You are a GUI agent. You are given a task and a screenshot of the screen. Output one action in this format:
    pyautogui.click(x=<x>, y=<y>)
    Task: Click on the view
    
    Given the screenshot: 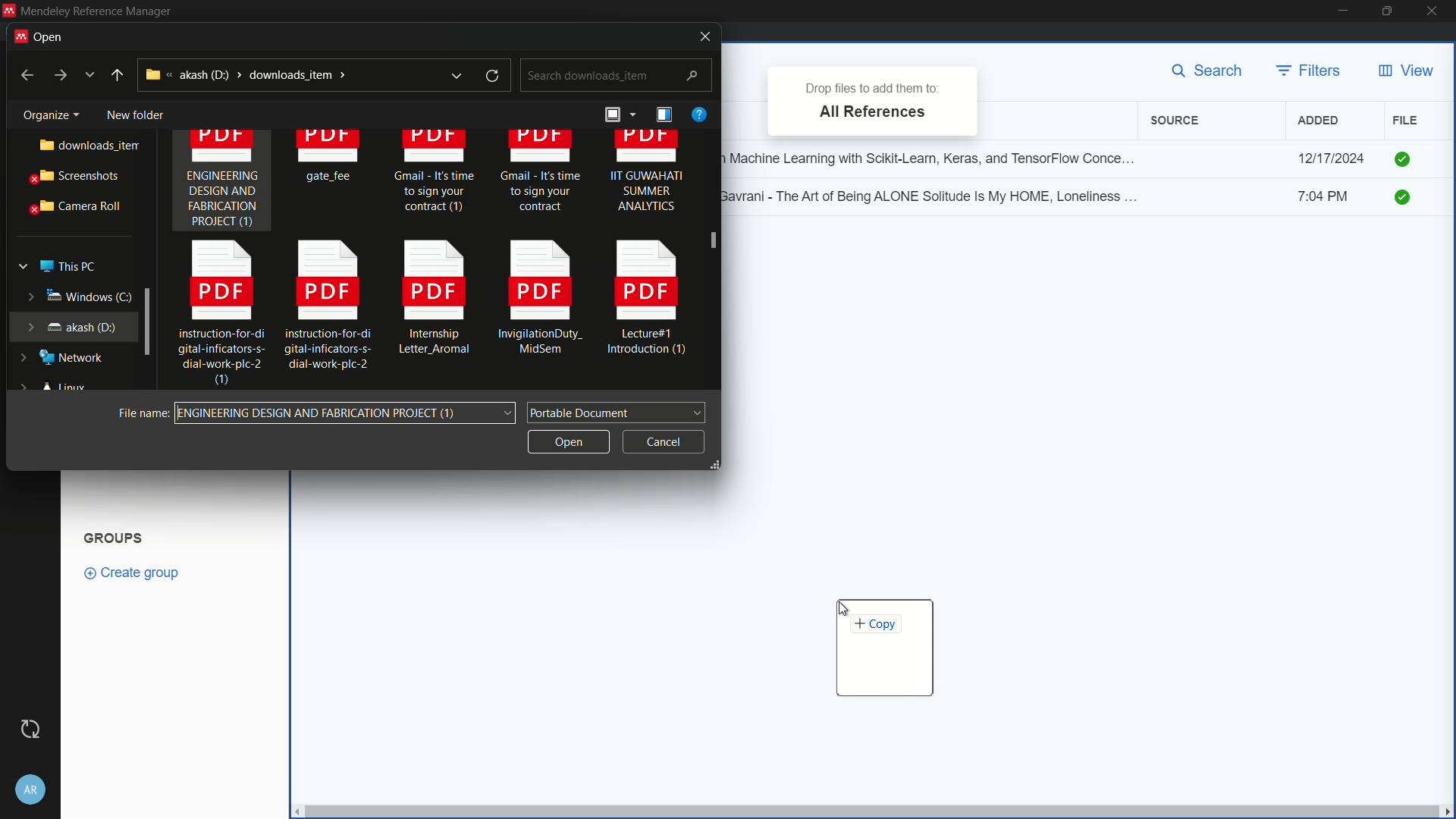 What is the action you would take?
    pyautogui.click(x=1405, y=71)
    